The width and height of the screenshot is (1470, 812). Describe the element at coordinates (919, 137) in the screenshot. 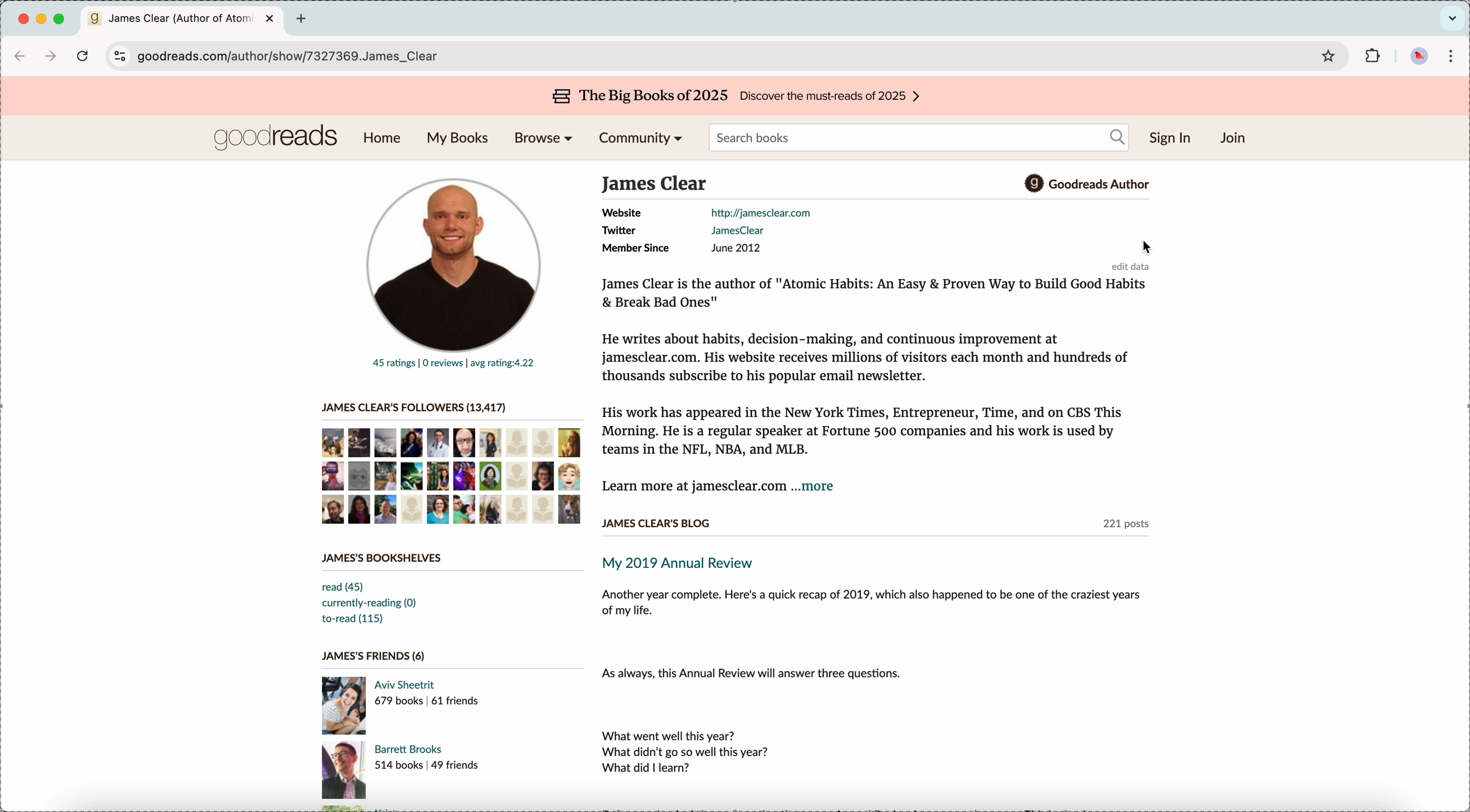

I see `search bar` at that location.